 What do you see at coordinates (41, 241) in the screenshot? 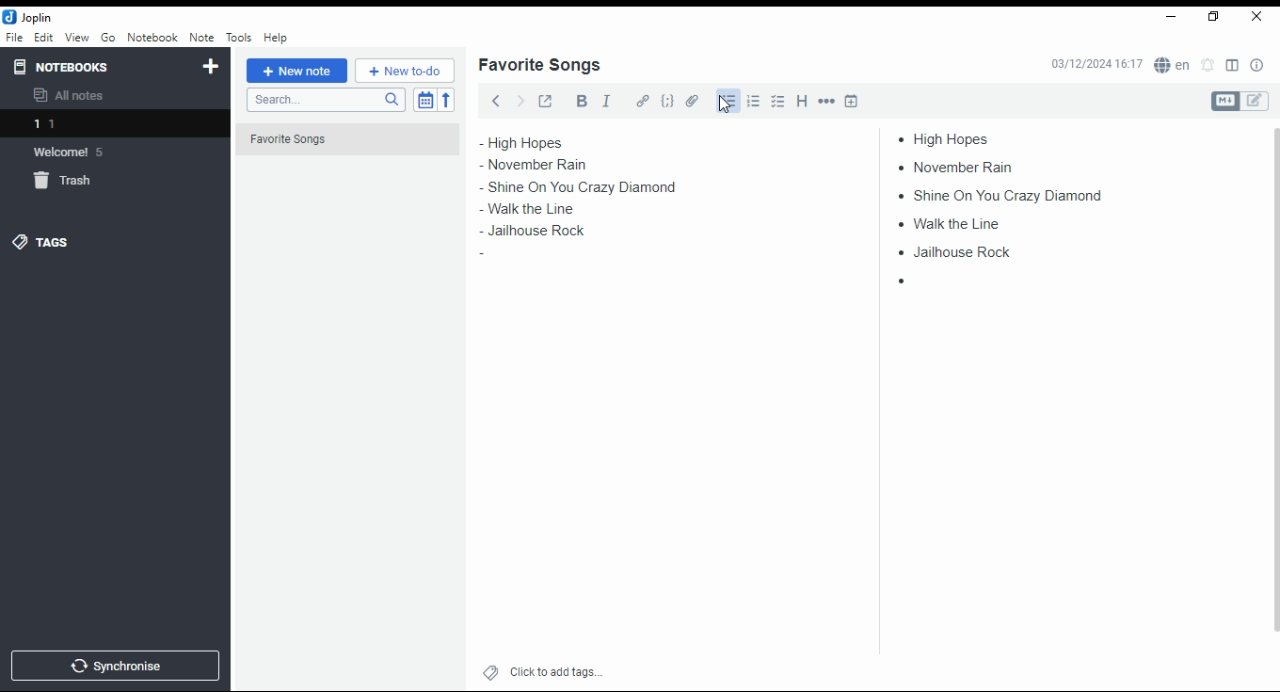
I see `tags` at bounding box center [41, 241].